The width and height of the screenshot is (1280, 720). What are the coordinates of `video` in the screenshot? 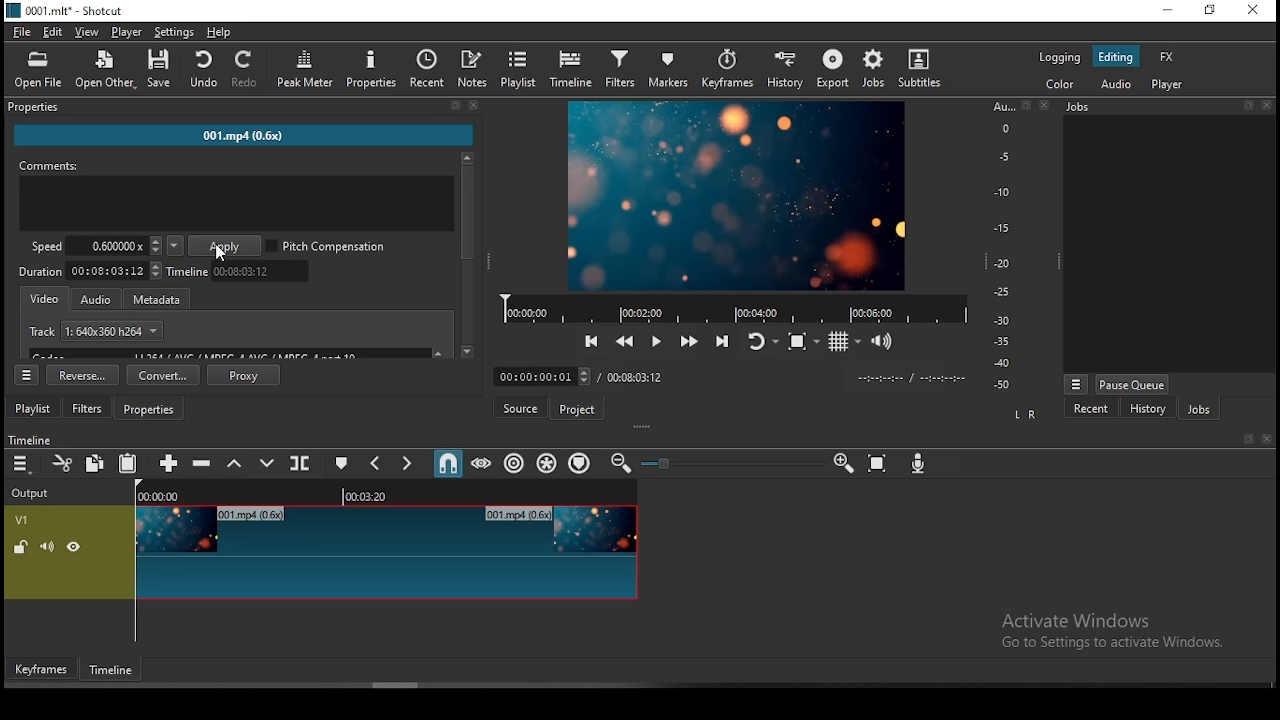 It's located at (44, 298).